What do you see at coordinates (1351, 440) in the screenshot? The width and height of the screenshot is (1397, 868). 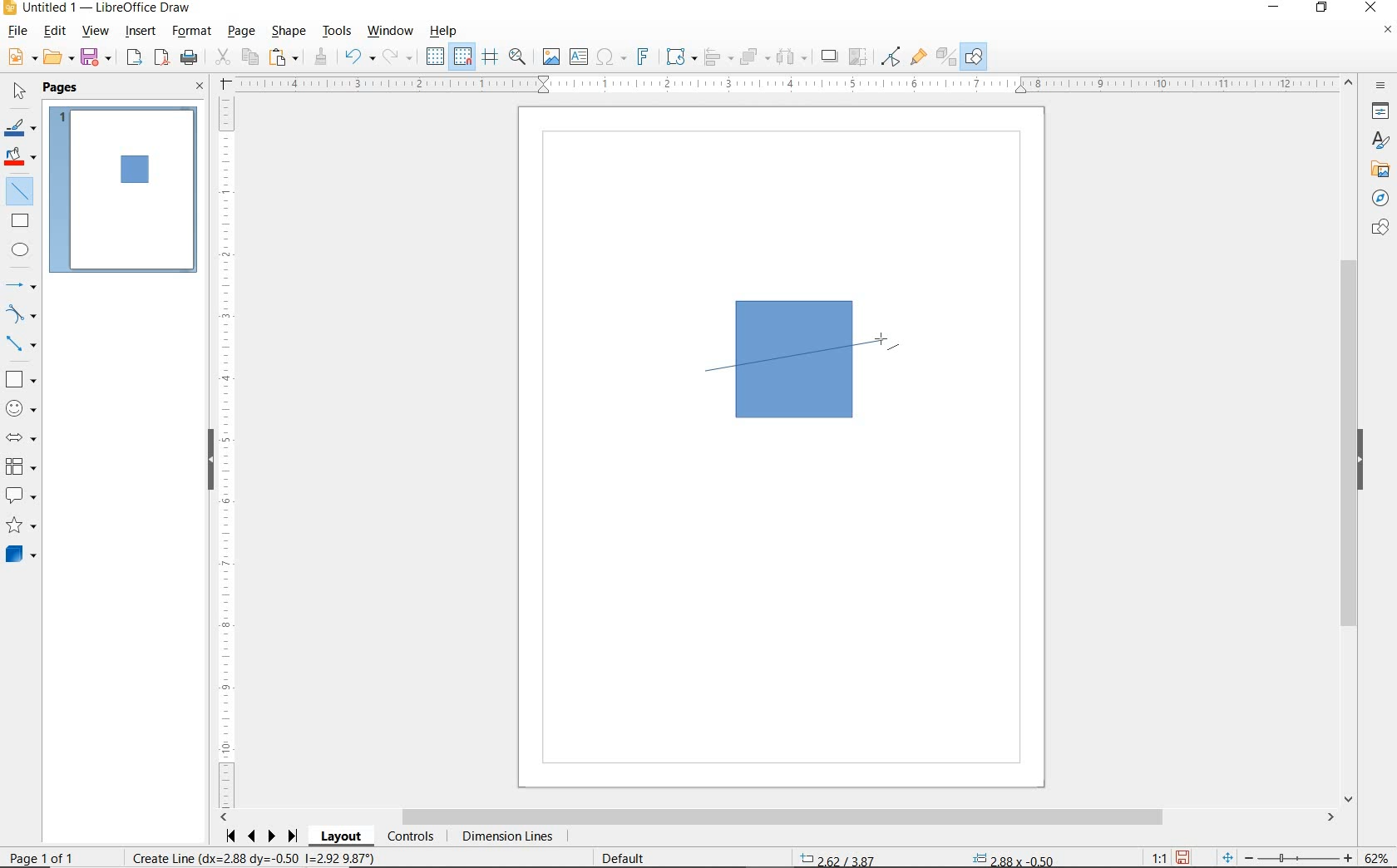 I see `SCROLLBAR` at bounding box center [1351, 440].